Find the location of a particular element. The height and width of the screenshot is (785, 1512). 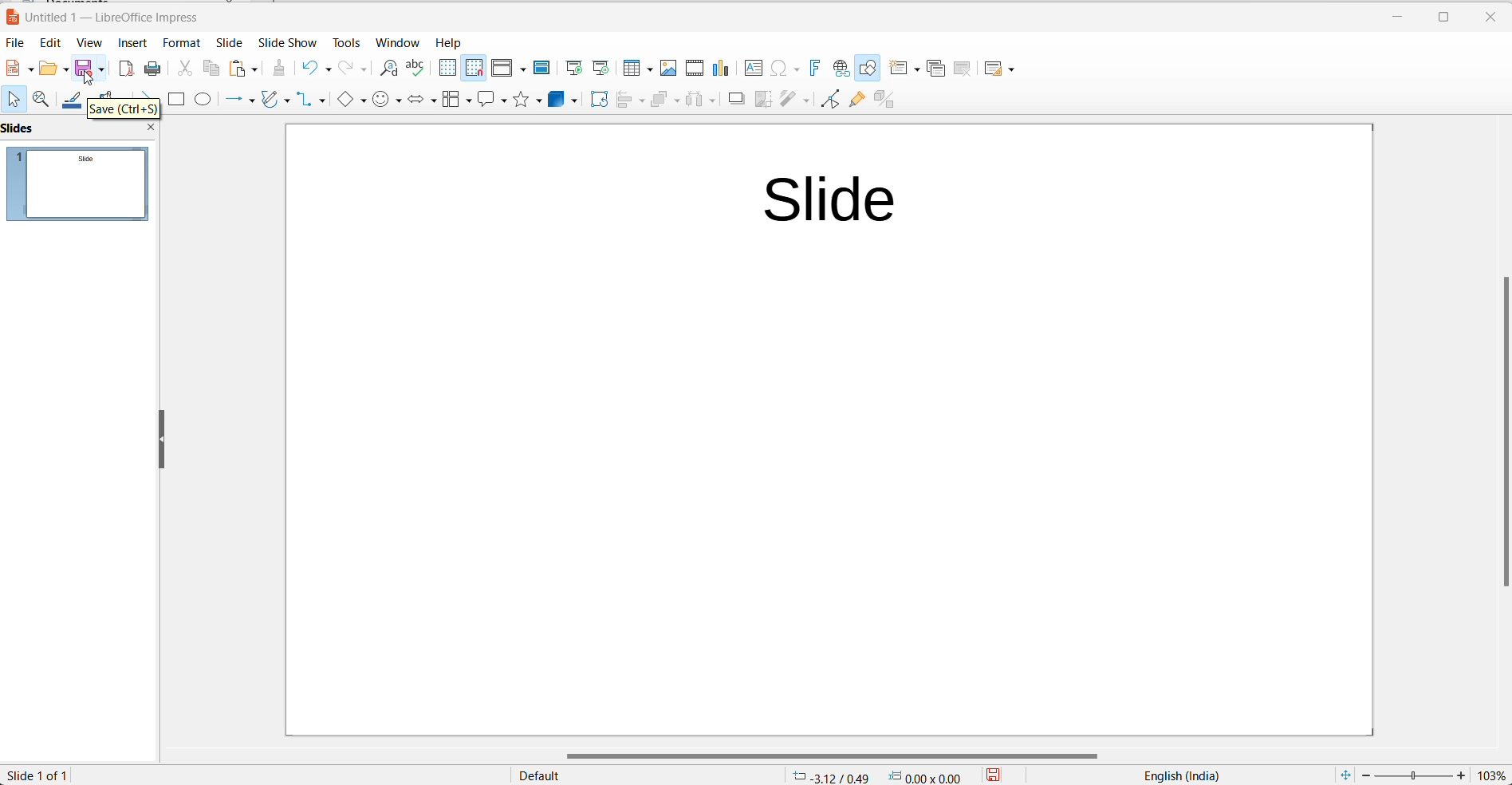

Zoom and pan is located at coordinates (40, 103).